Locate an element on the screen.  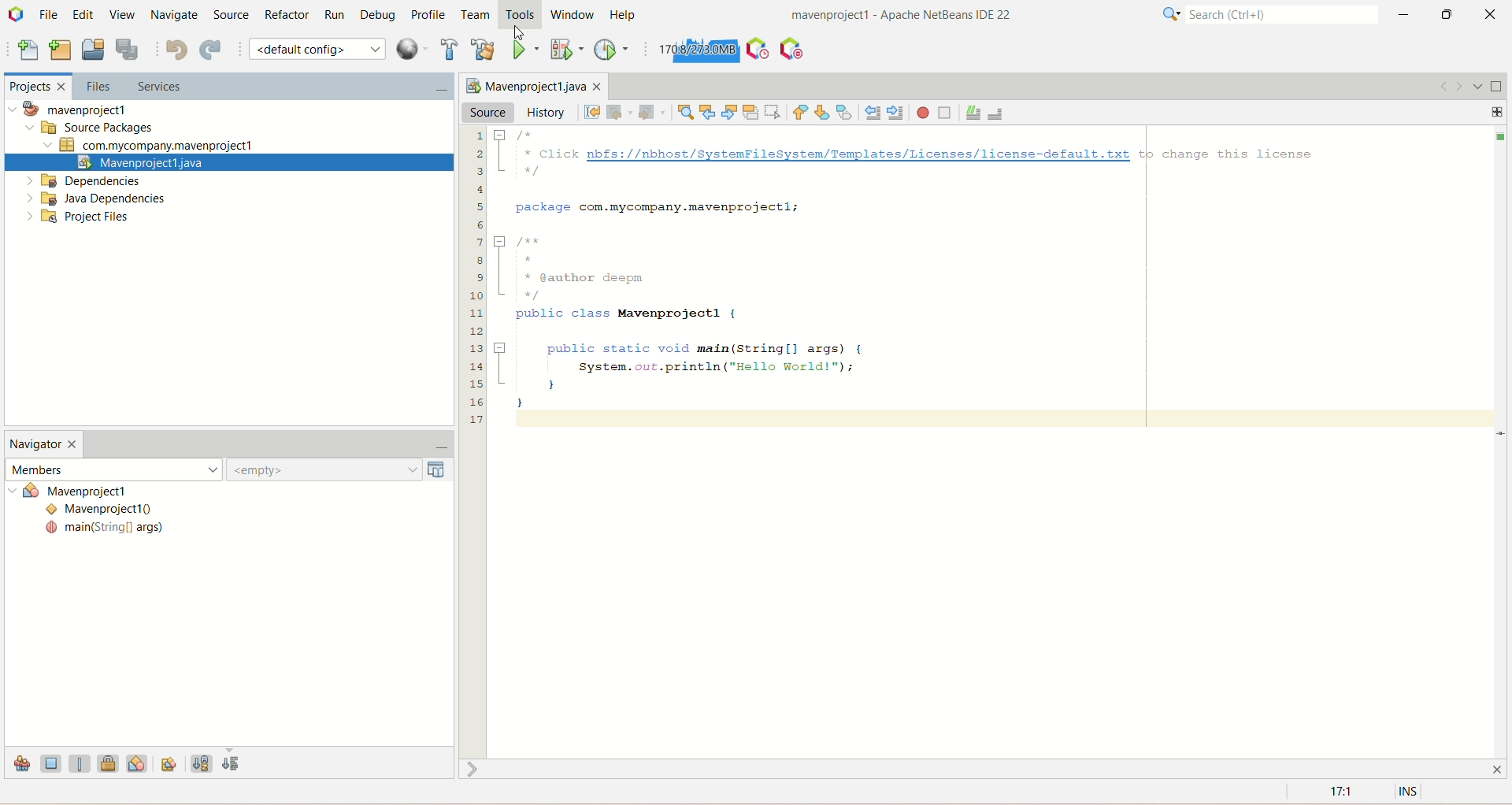
show static members is located at coordinates (83, 762).